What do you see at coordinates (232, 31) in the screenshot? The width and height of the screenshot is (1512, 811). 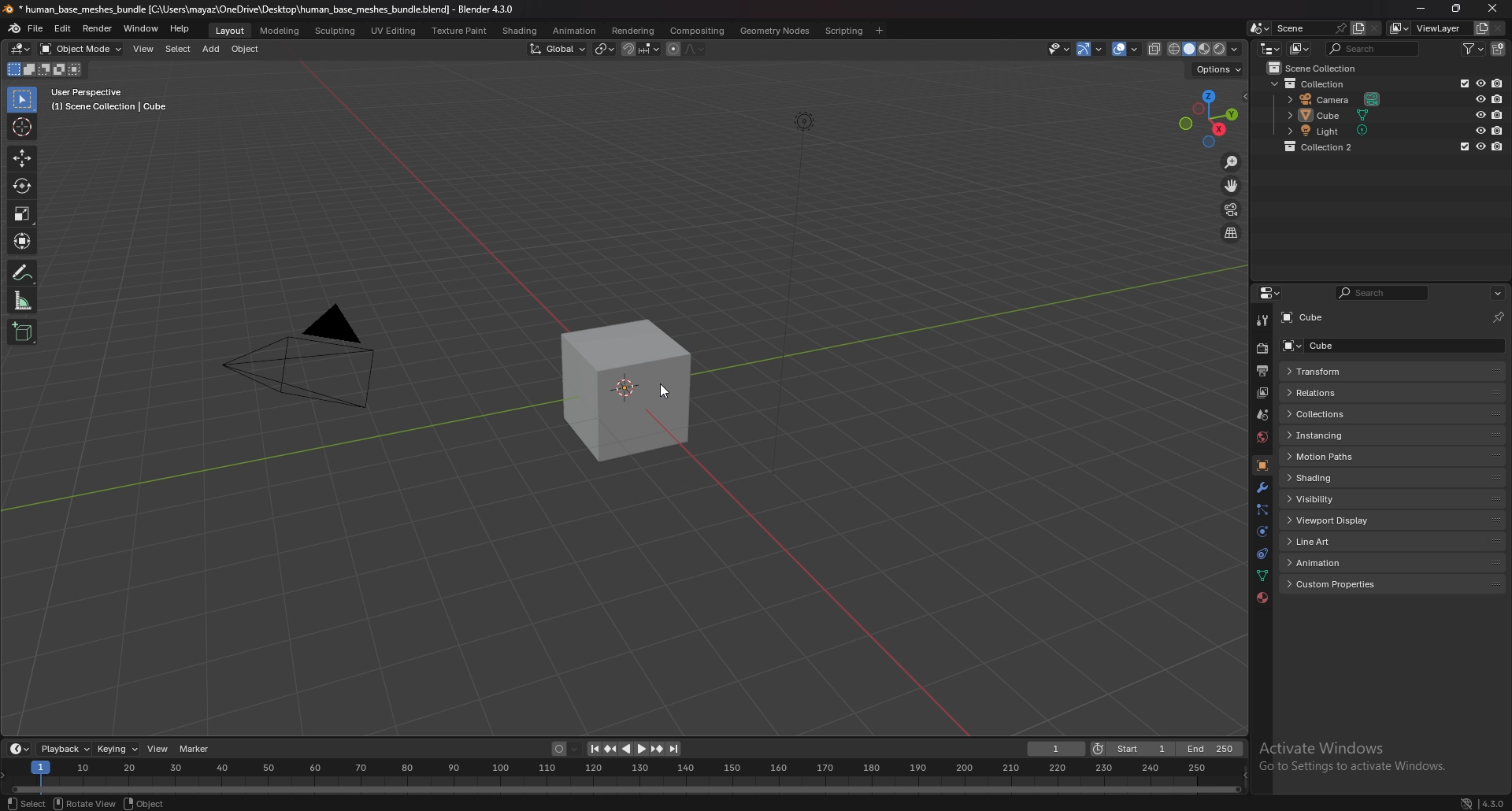 I see `layout` at bounding box center [232, 31].